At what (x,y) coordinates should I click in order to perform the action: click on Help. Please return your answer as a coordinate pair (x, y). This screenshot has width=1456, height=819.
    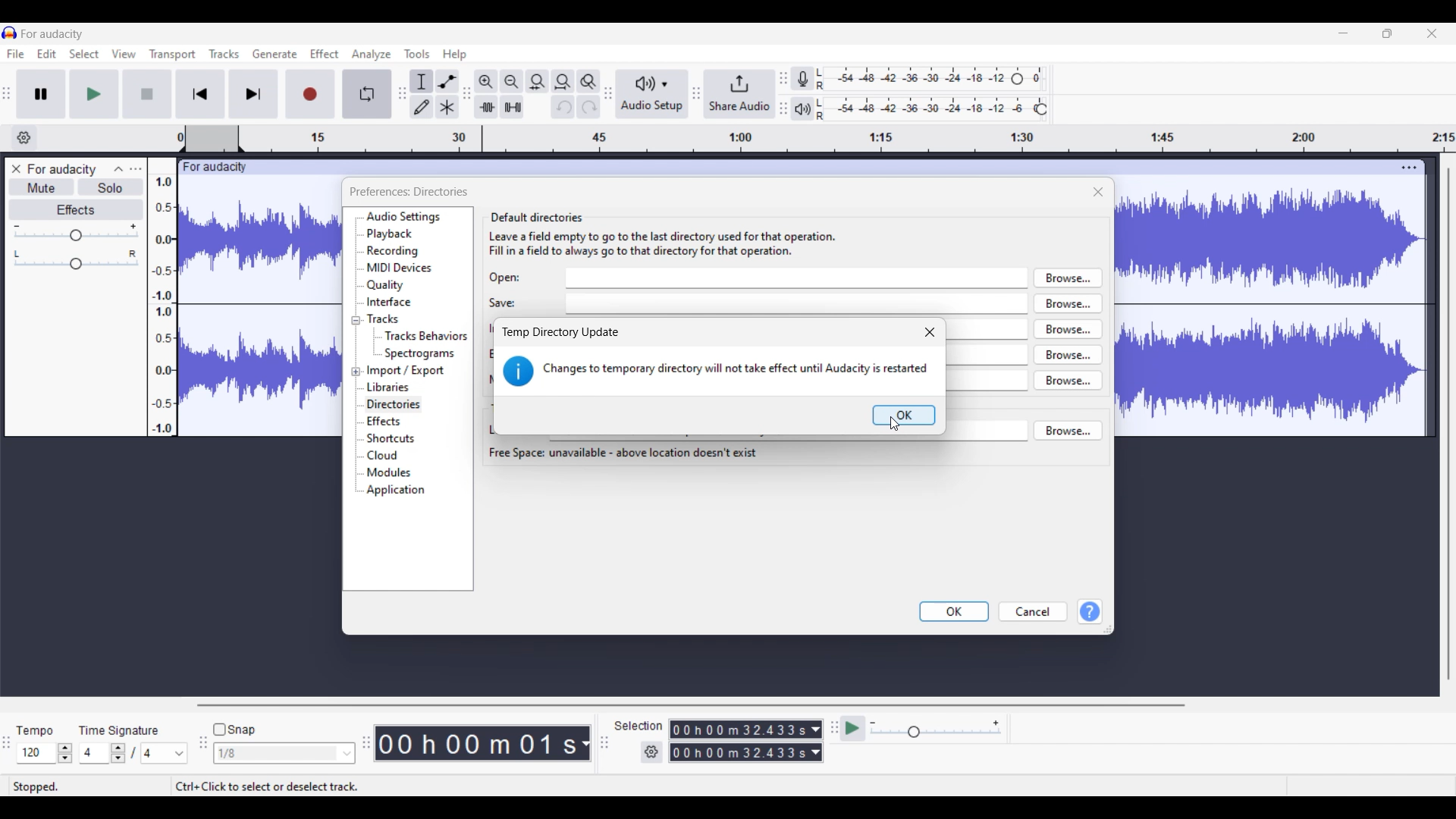
    Looking at the image, I should click on (1090, 611).